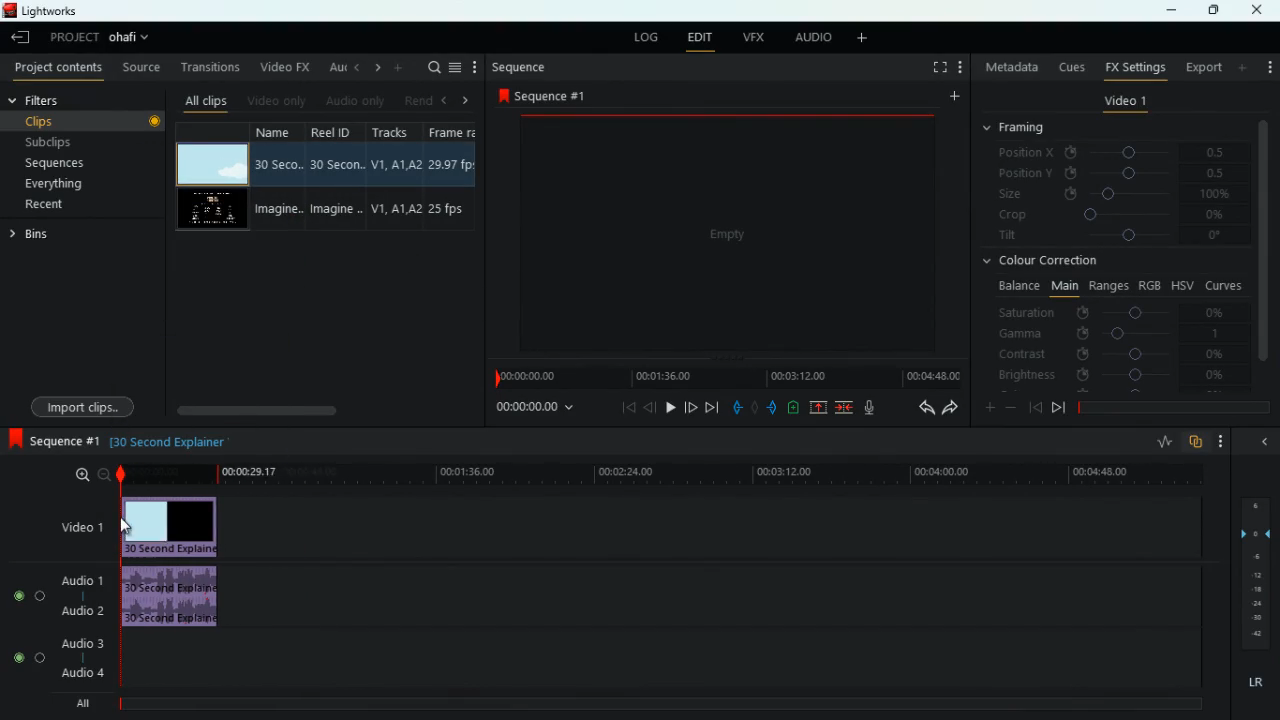 The image size is (1280, 720). Describe the element at coordinates (354, 68) in the screenshot. I see `left` at that location.